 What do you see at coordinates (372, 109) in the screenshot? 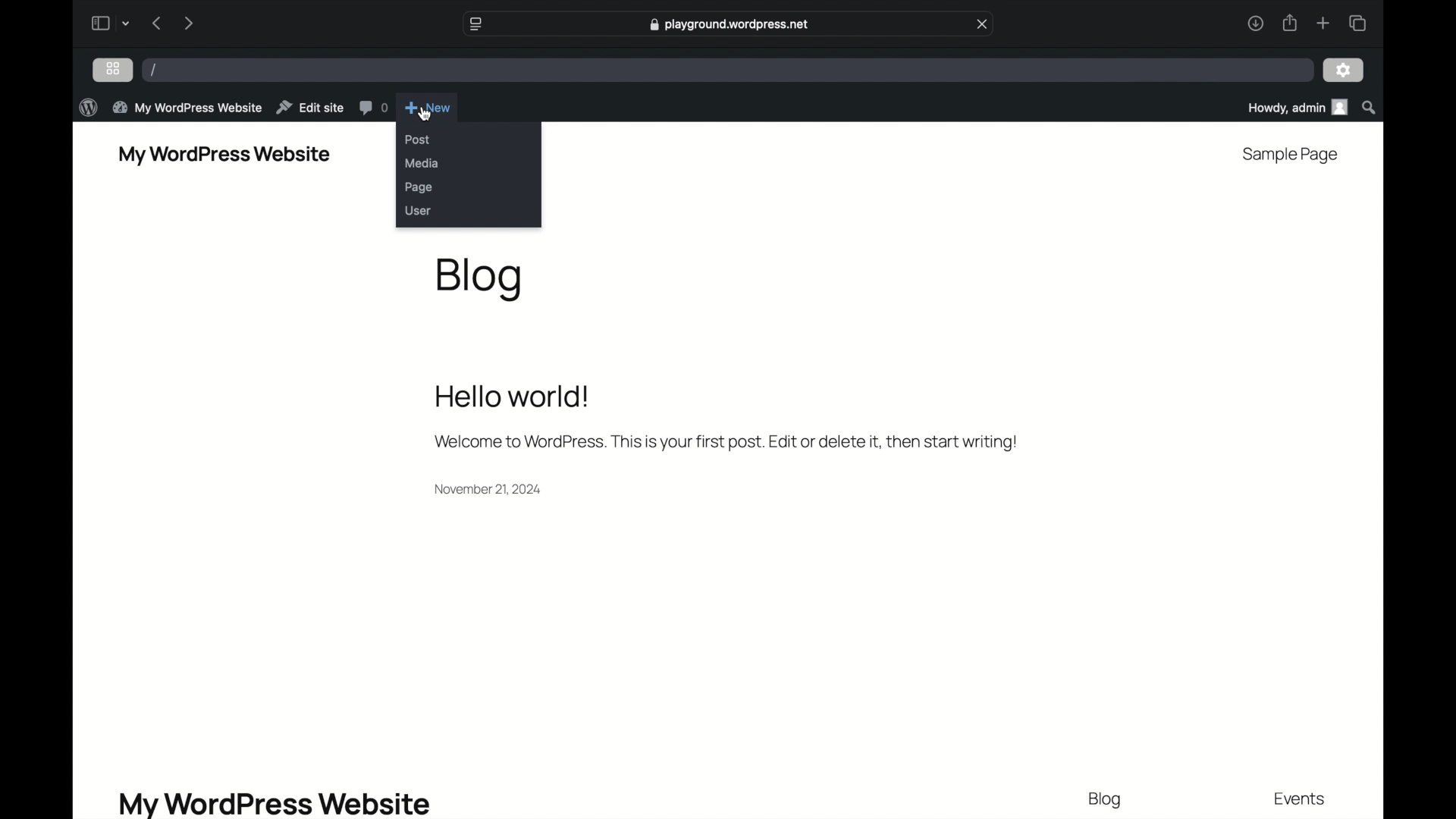
I see `comments` at bounding box center [372, 109].